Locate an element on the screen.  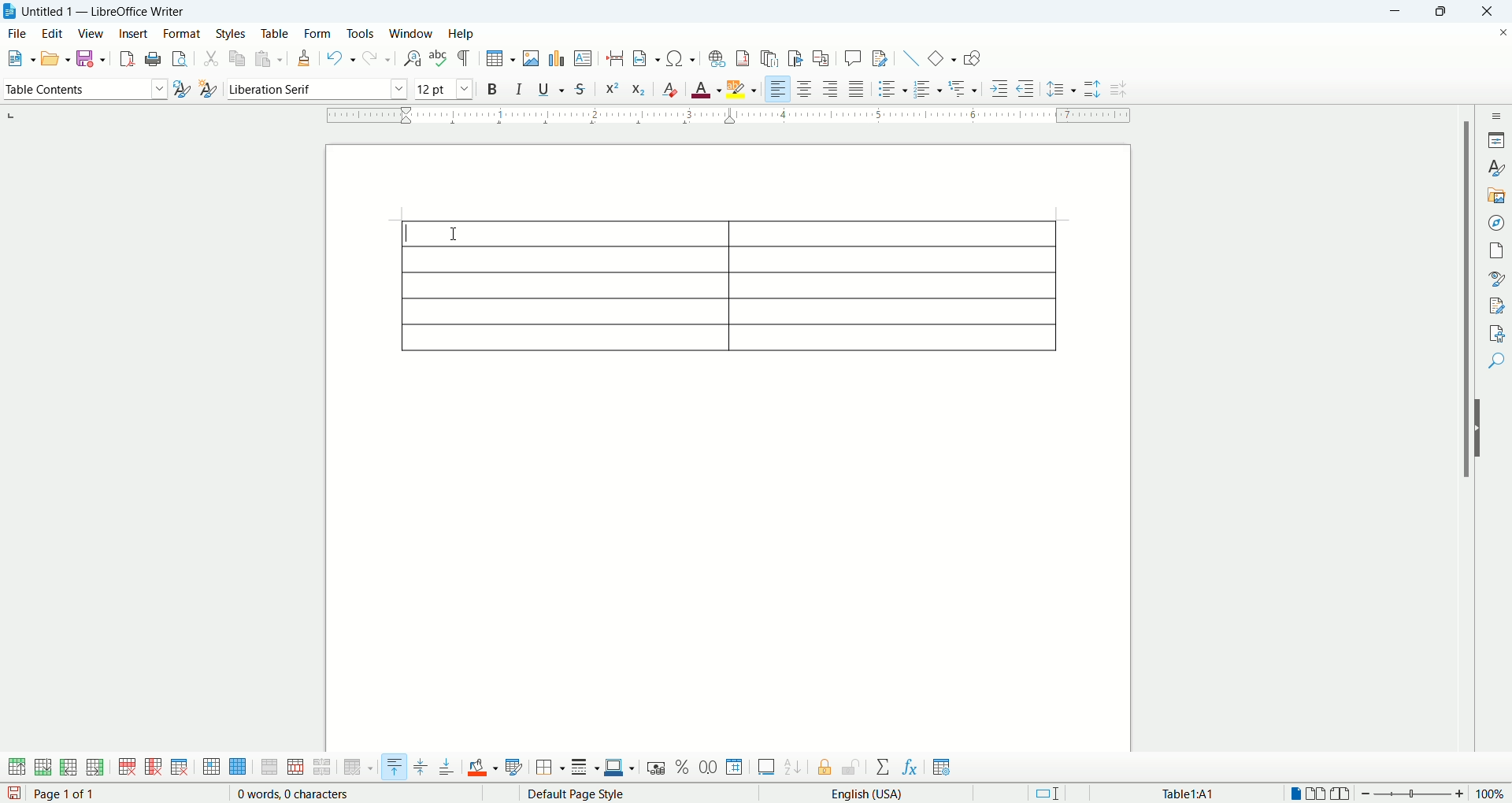
decimal format is located at coordinates (709, 768).